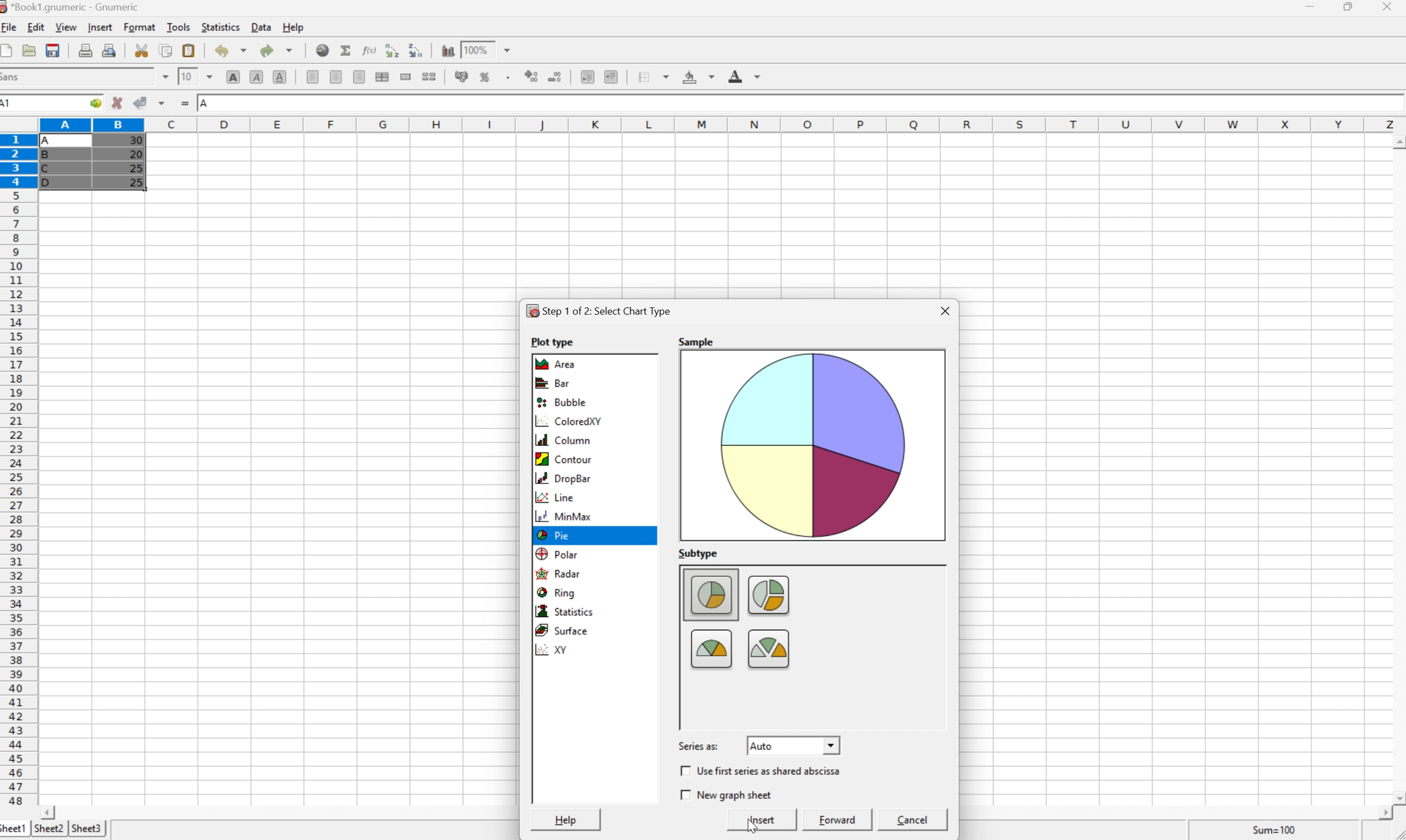  Describe the element at coordinates (164, 76) in the screenshot. I see `Drop Down` at that location.